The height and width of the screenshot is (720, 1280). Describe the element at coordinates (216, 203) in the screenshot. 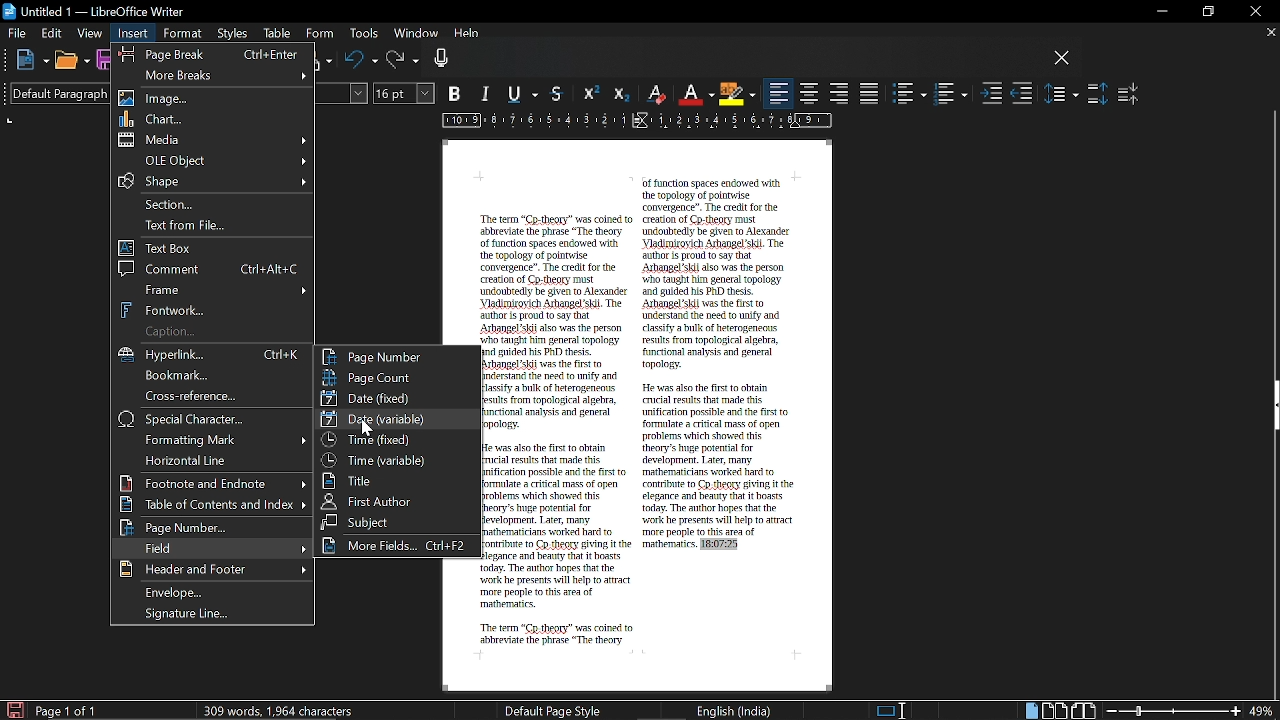

I see `Section` at that location.